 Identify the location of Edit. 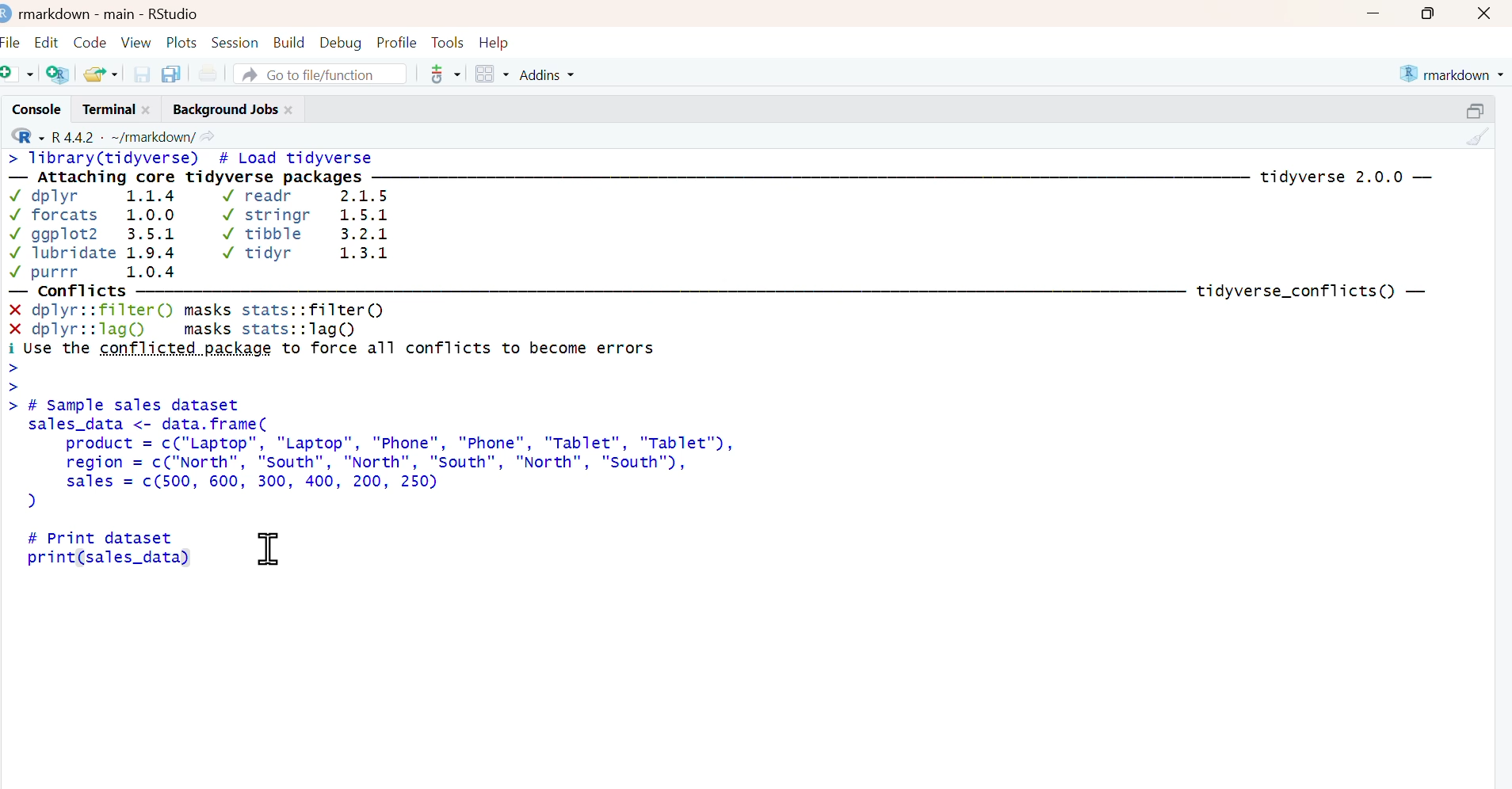
(48, 39).